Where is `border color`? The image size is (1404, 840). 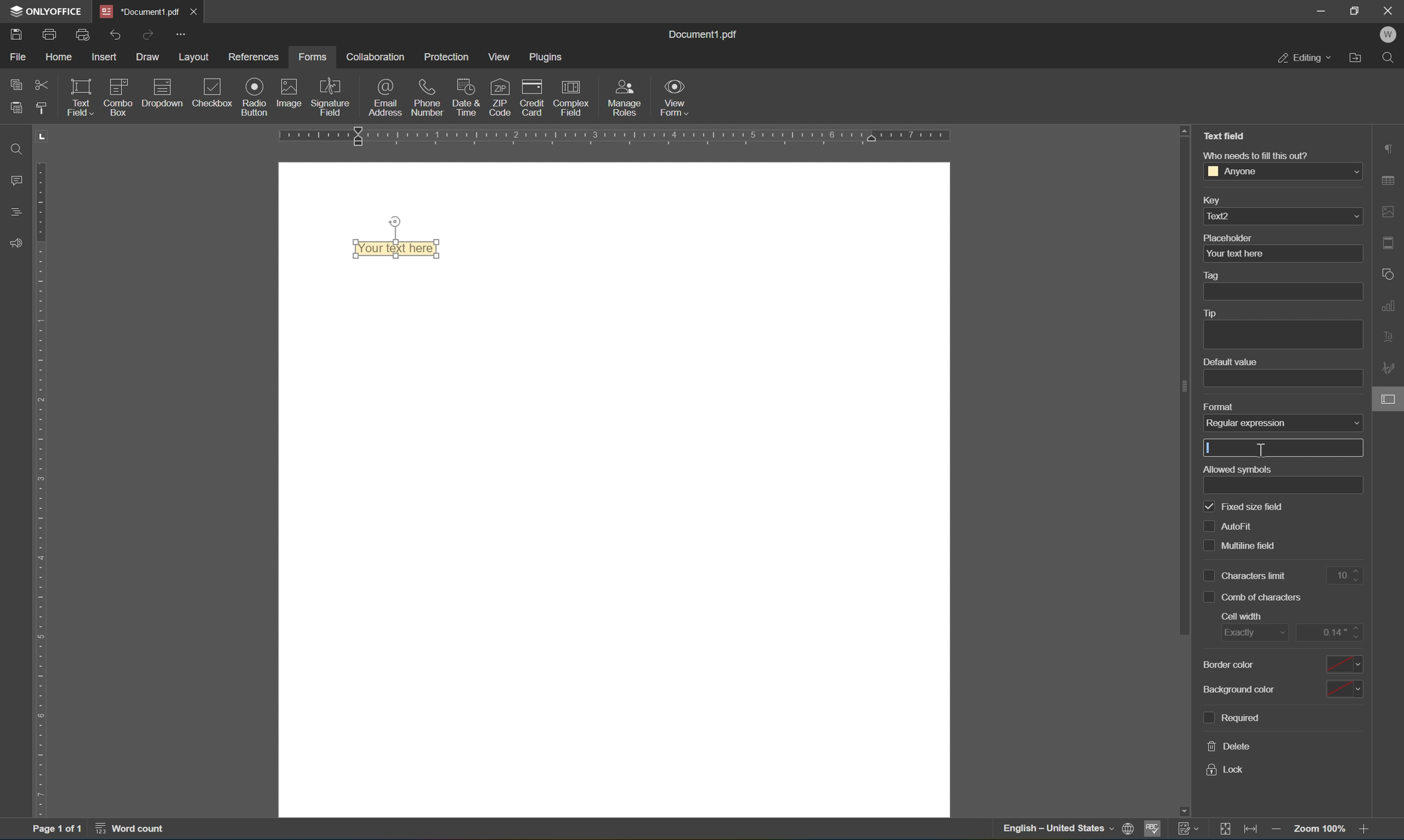 border color is located at coordinates (1228, 663).